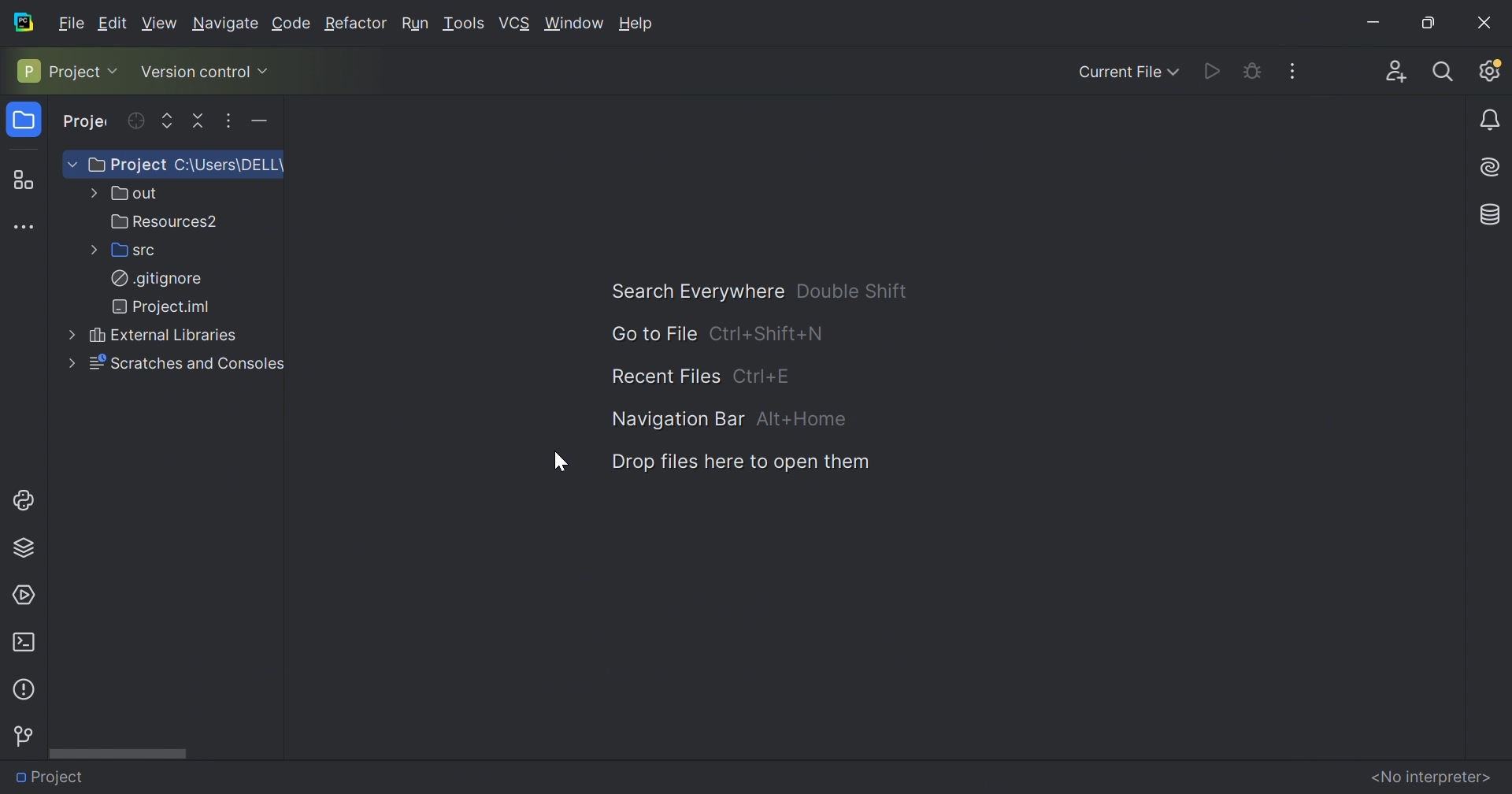  Describe the element at coordinates (265, 69) in the screenshot. I see `Drop Down` at that location.